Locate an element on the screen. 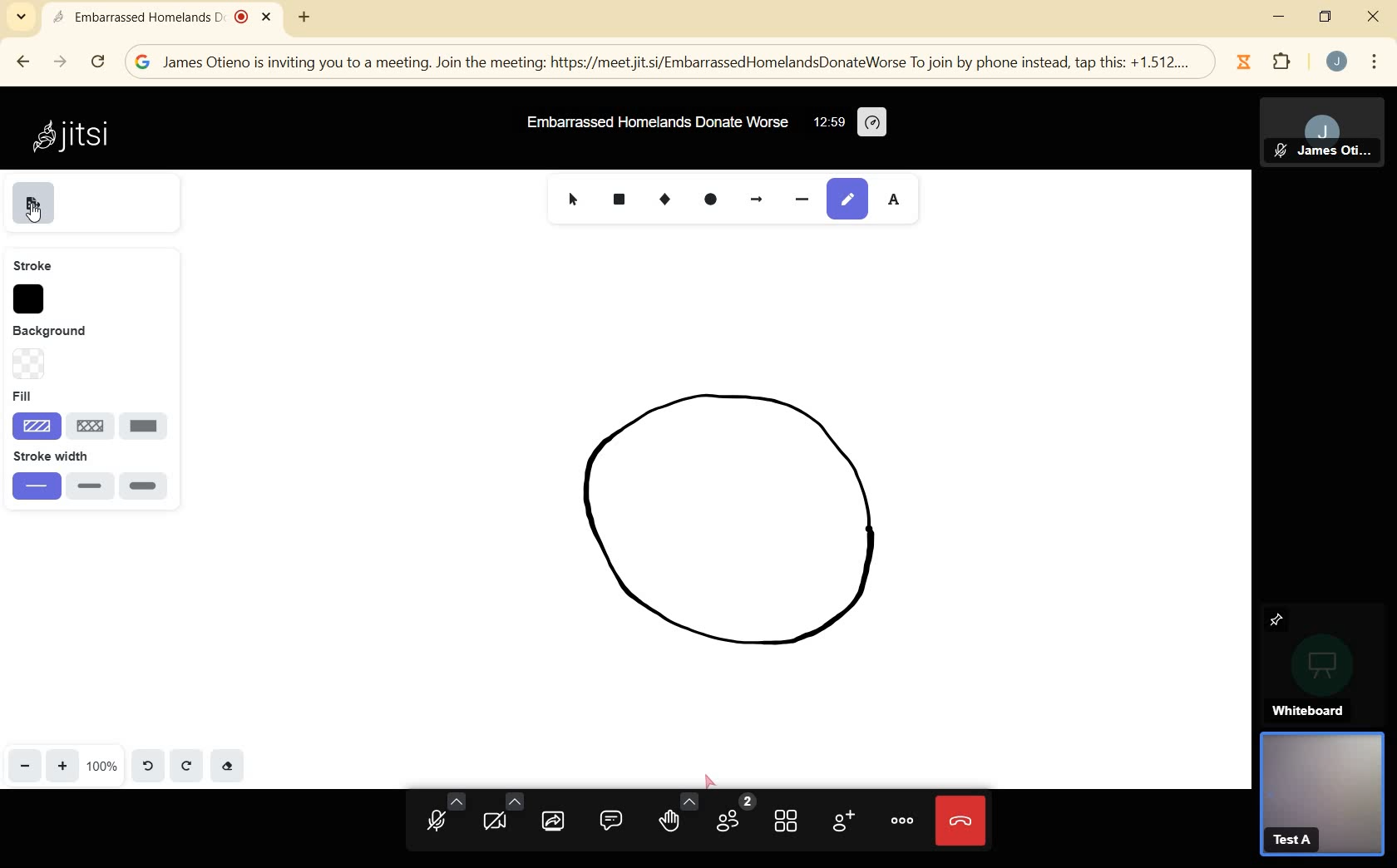  BACK is located at coordinates (25, 60).